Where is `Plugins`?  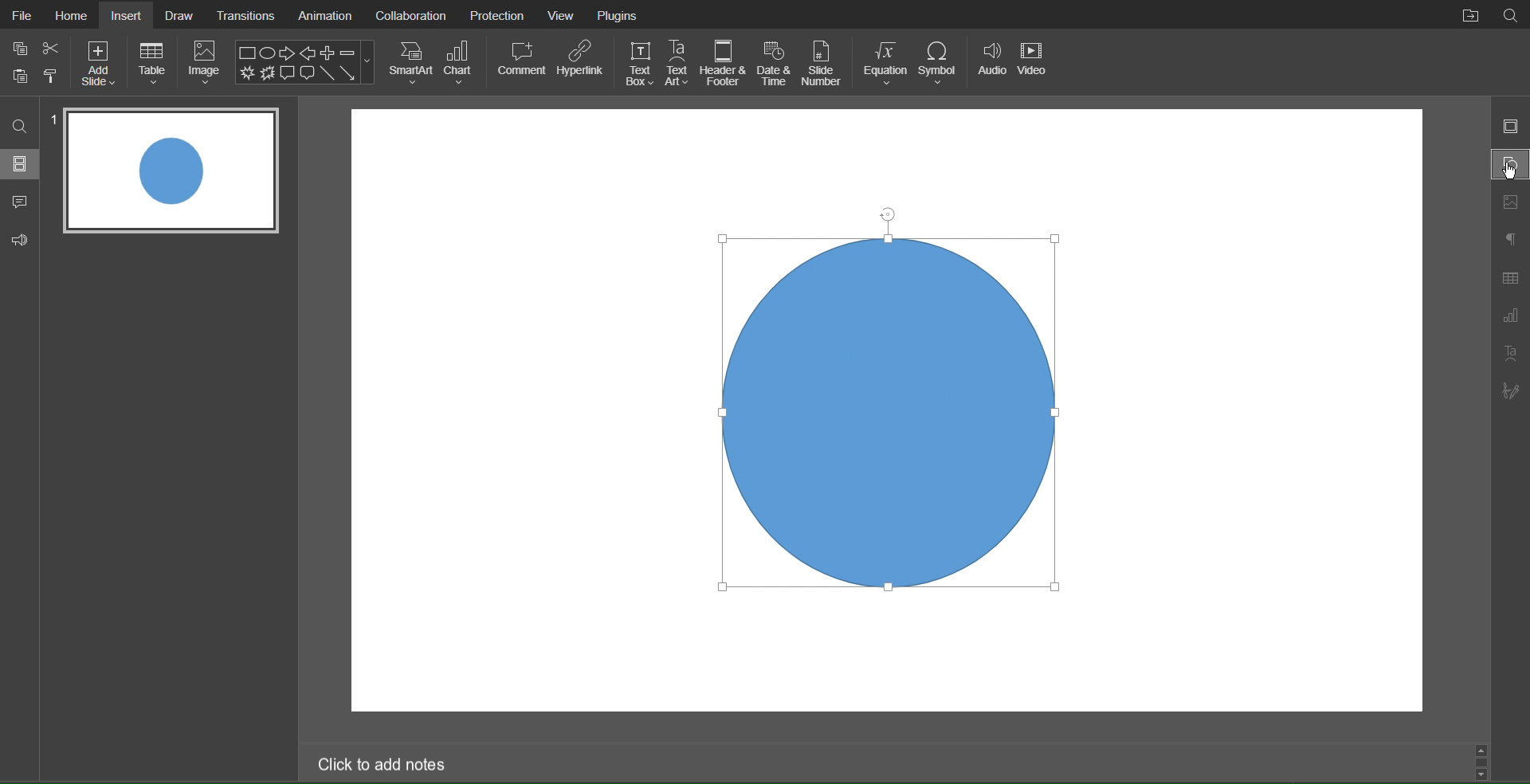 Plugins is located at coordinates (616, 14).